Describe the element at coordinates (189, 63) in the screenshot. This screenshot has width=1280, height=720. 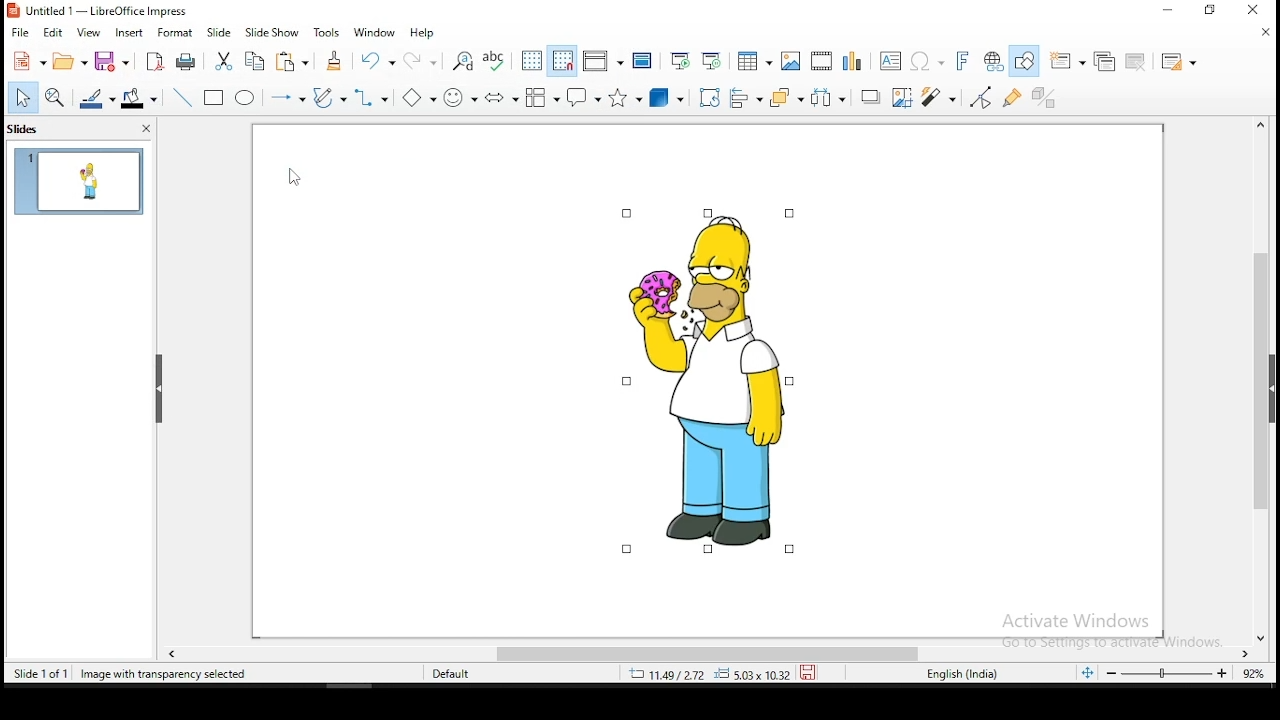
I see `print` at that location.